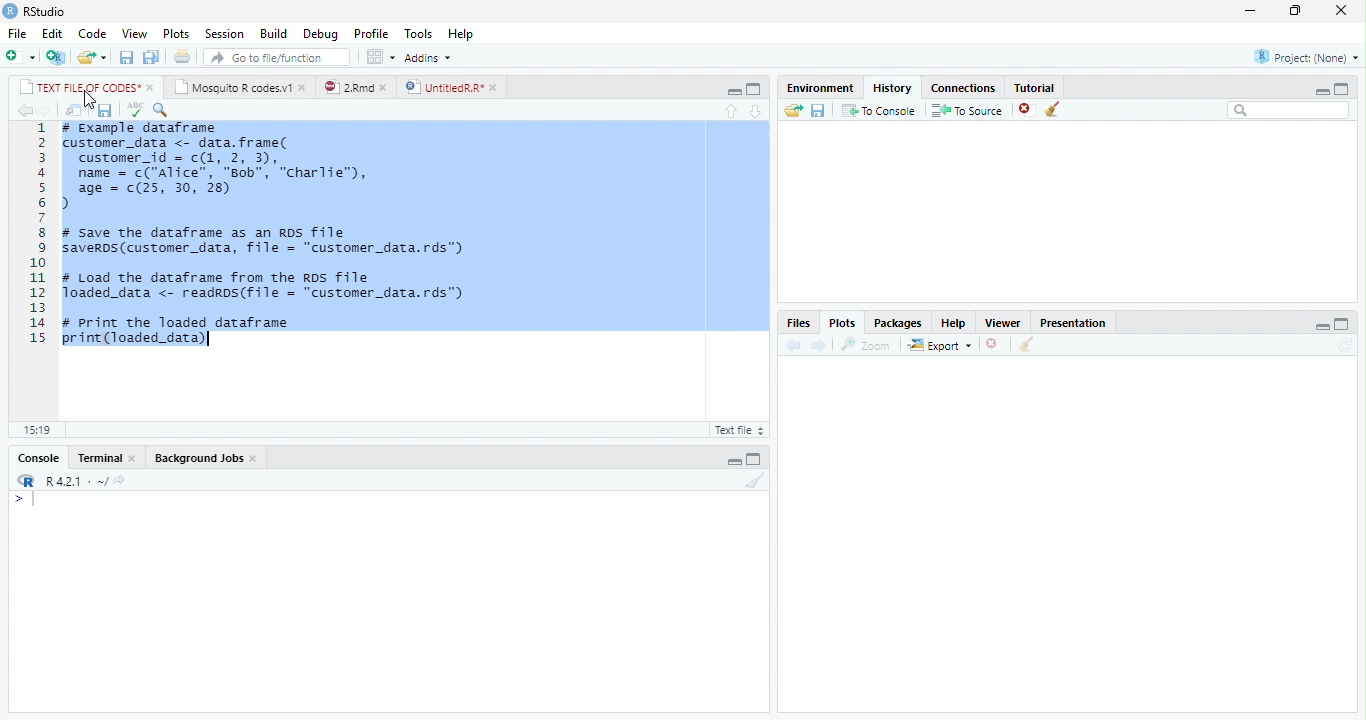  What do you see at coordinates (793, 346) in the screenshot?
I see `back` at bounding box center [793, 346].